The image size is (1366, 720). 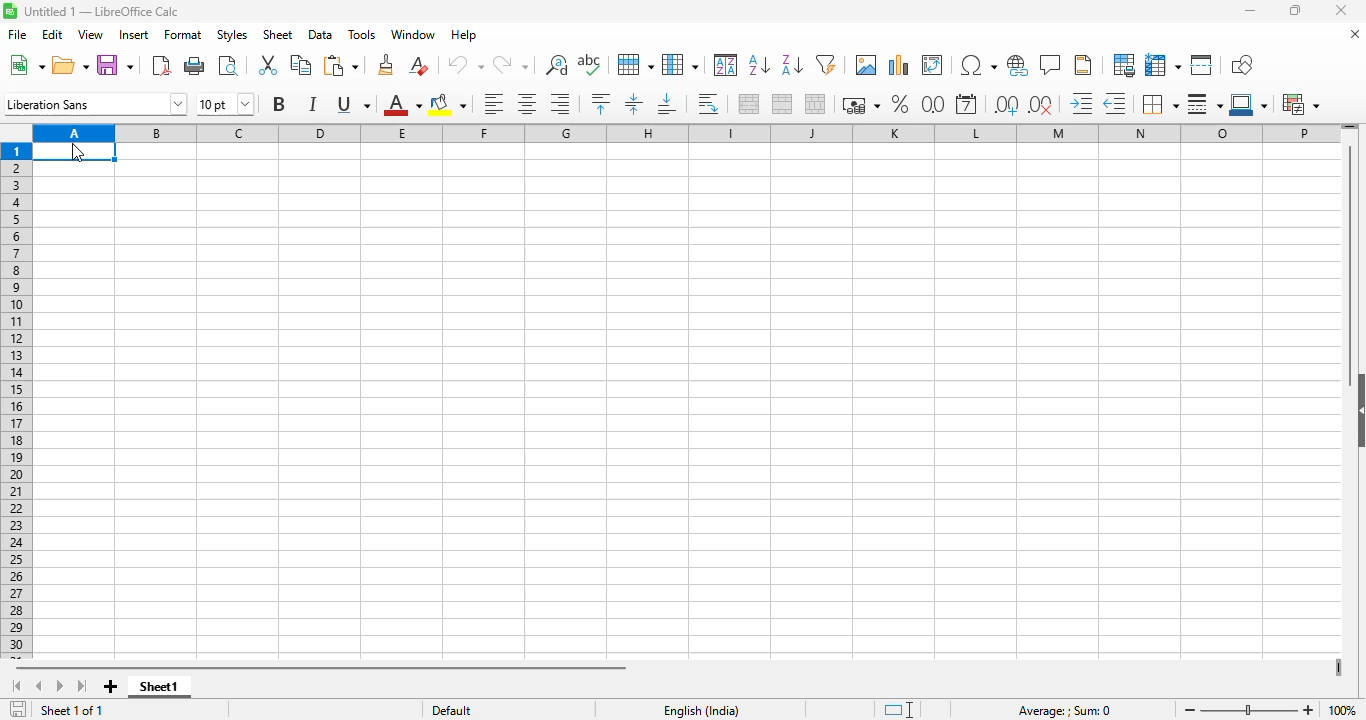 I want to click on underline, so click(x=353, y=104).